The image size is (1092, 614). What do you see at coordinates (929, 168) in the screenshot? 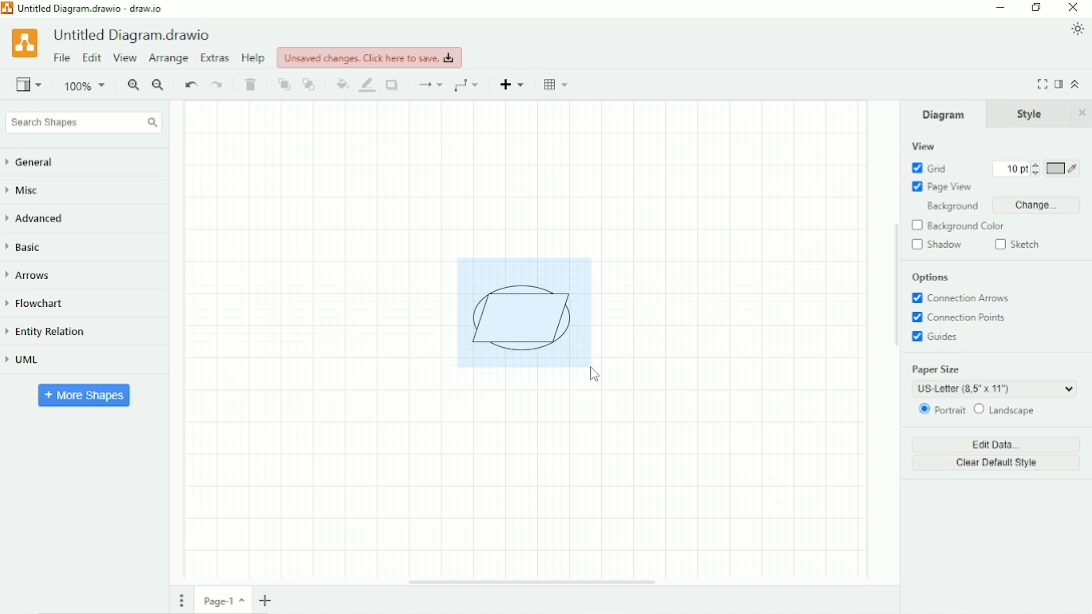
I see `Grid` at bounding box center [929, 168].